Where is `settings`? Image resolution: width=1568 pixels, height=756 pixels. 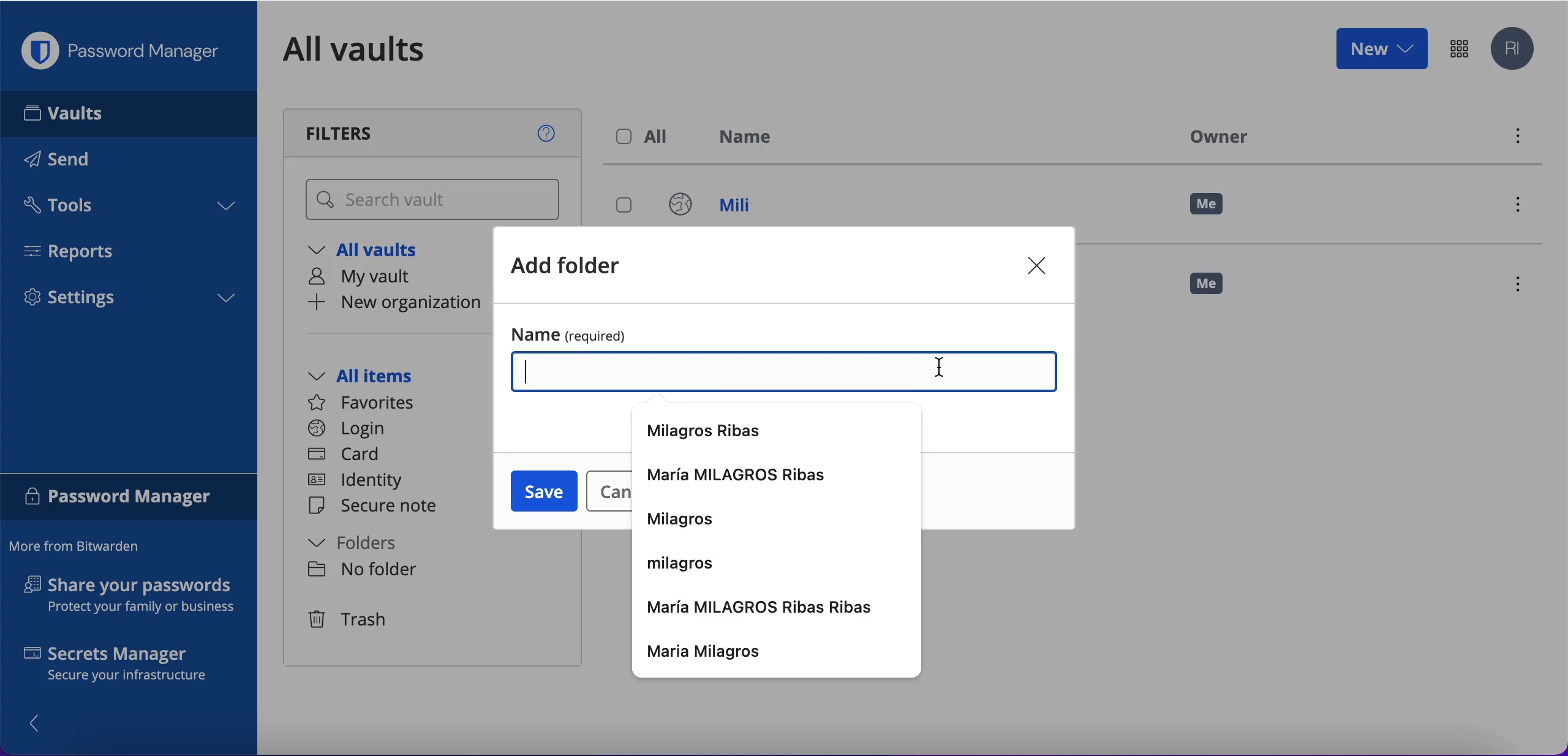
settings is located at coordinates (129, 301).